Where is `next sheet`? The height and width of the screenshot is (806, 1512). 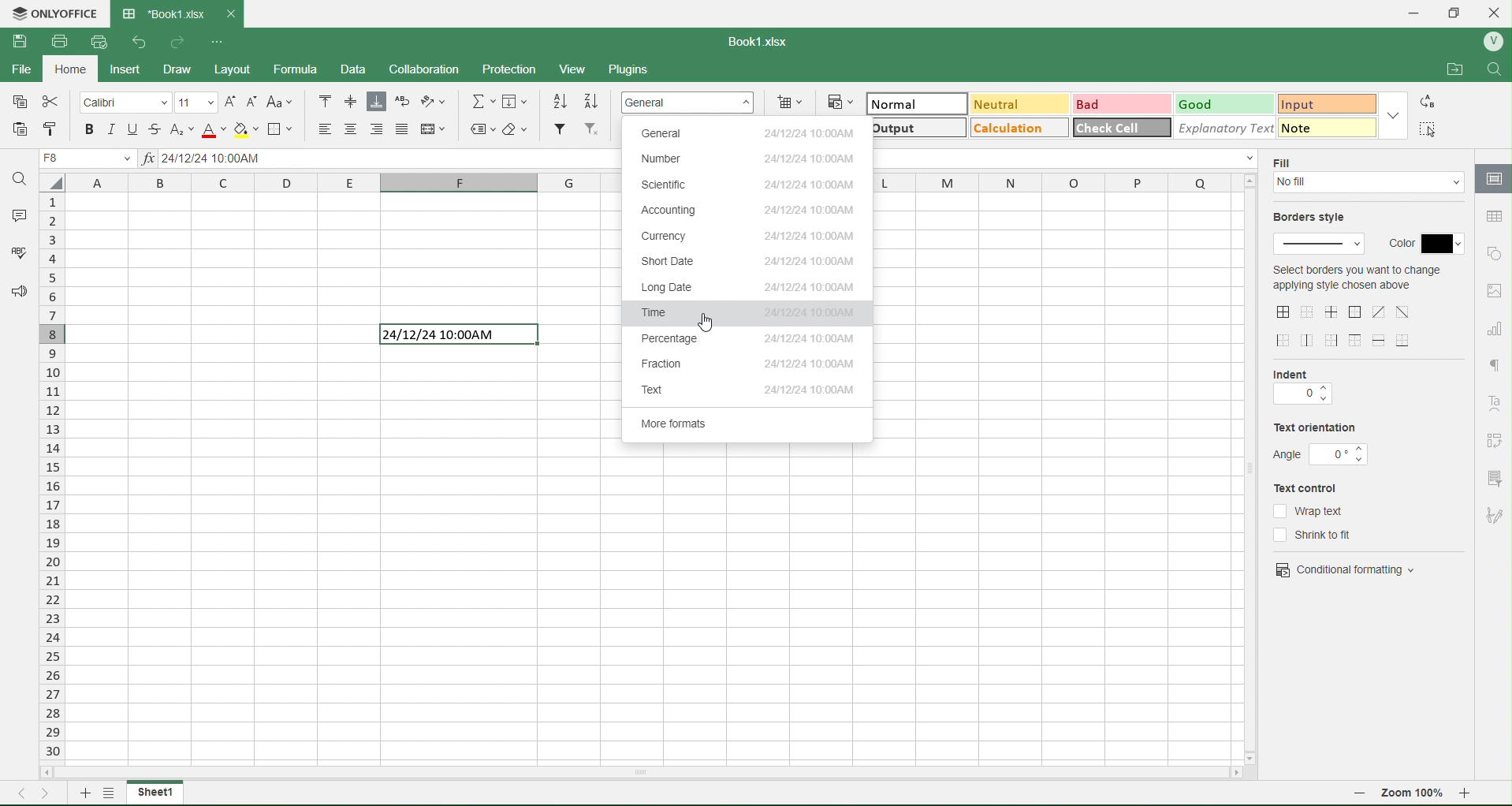 next sheet is located at coordinates (49, 792).